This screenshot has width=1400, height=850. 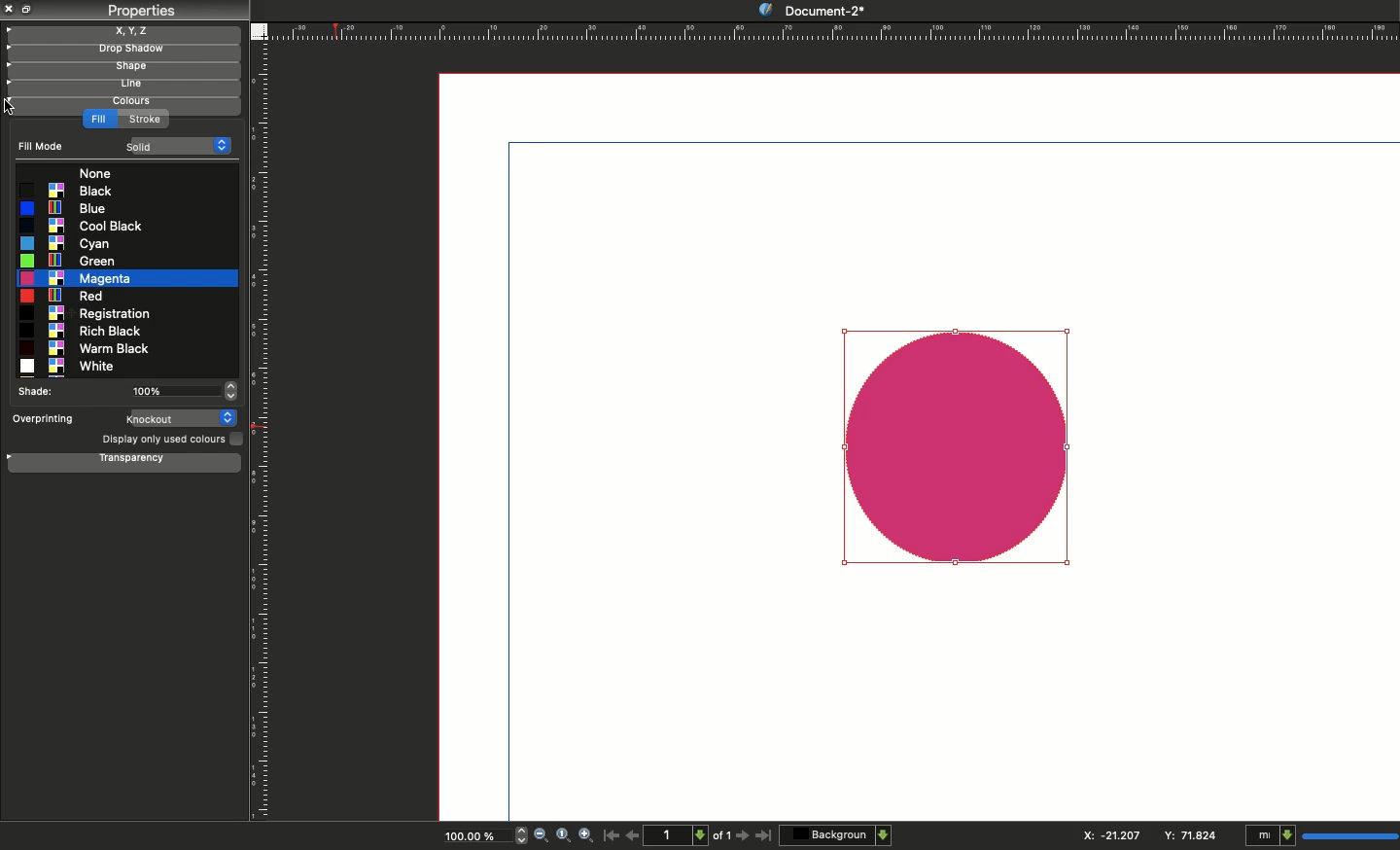 I want to click on Green, so click(x=67, y=261).